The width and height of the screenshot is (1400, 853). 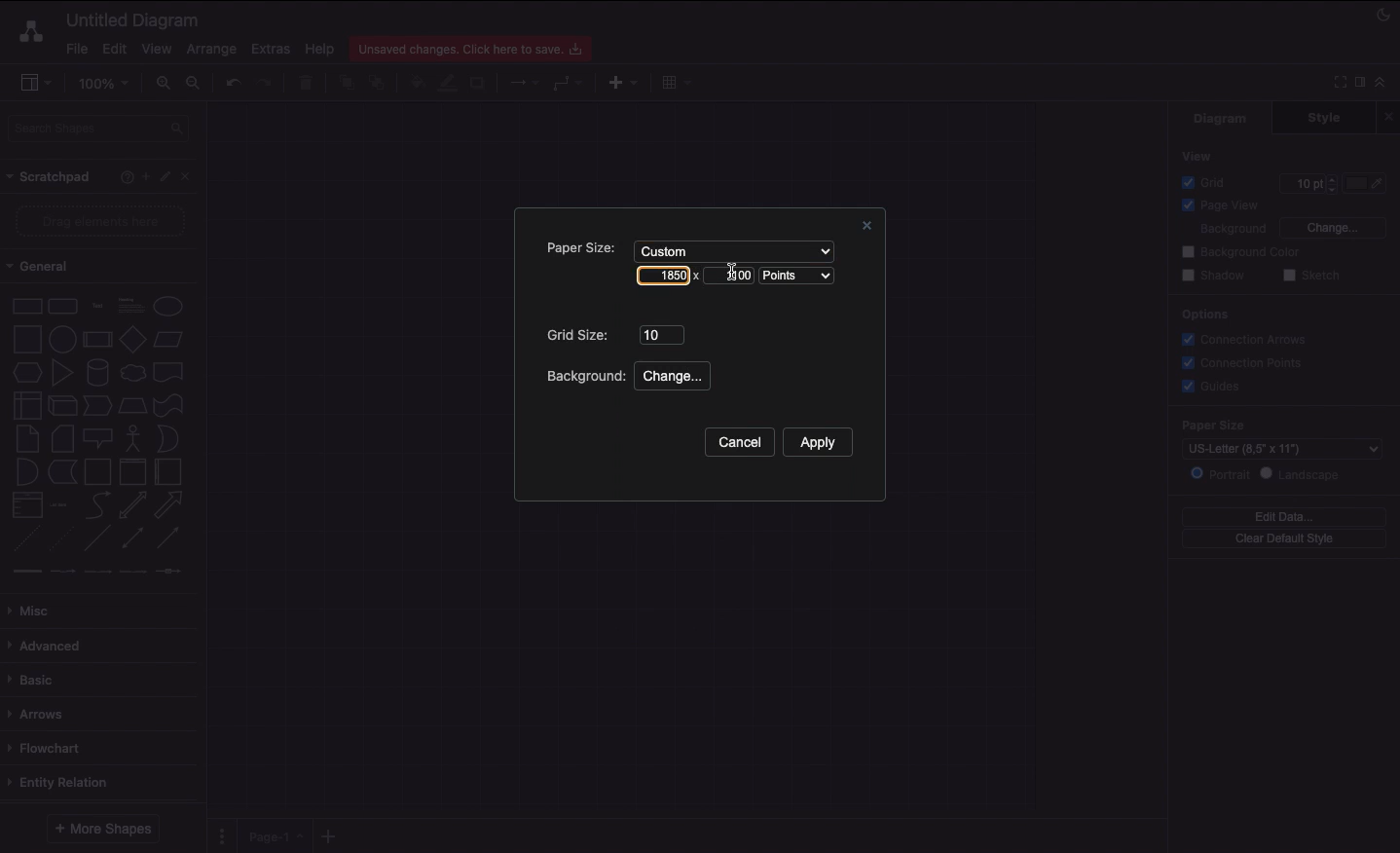 I want to click on Color, so click(x=1367, y=183).